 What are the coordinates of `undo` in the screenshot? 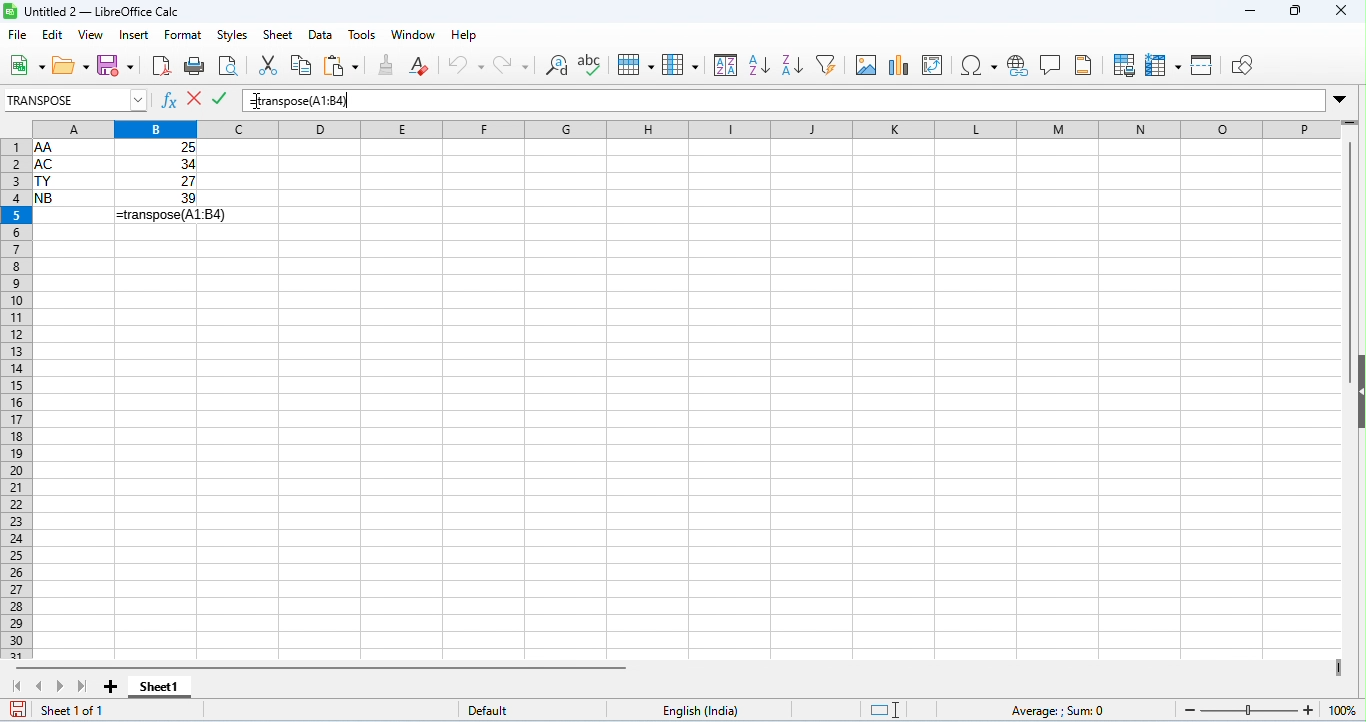 It's located at (467, 64).